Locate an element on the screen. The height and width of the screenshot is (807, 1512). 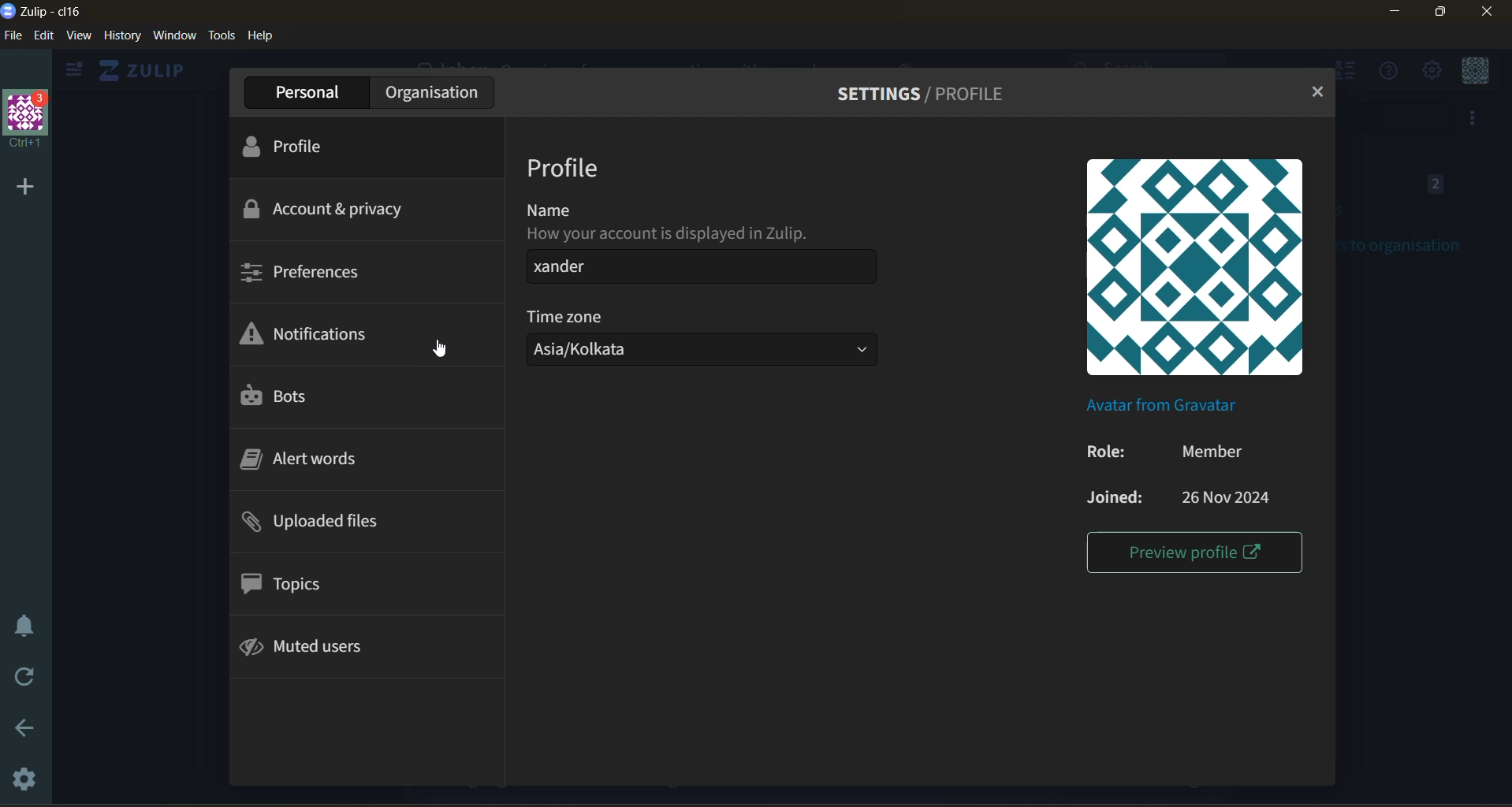
close is located at coordinates (1317, 94).